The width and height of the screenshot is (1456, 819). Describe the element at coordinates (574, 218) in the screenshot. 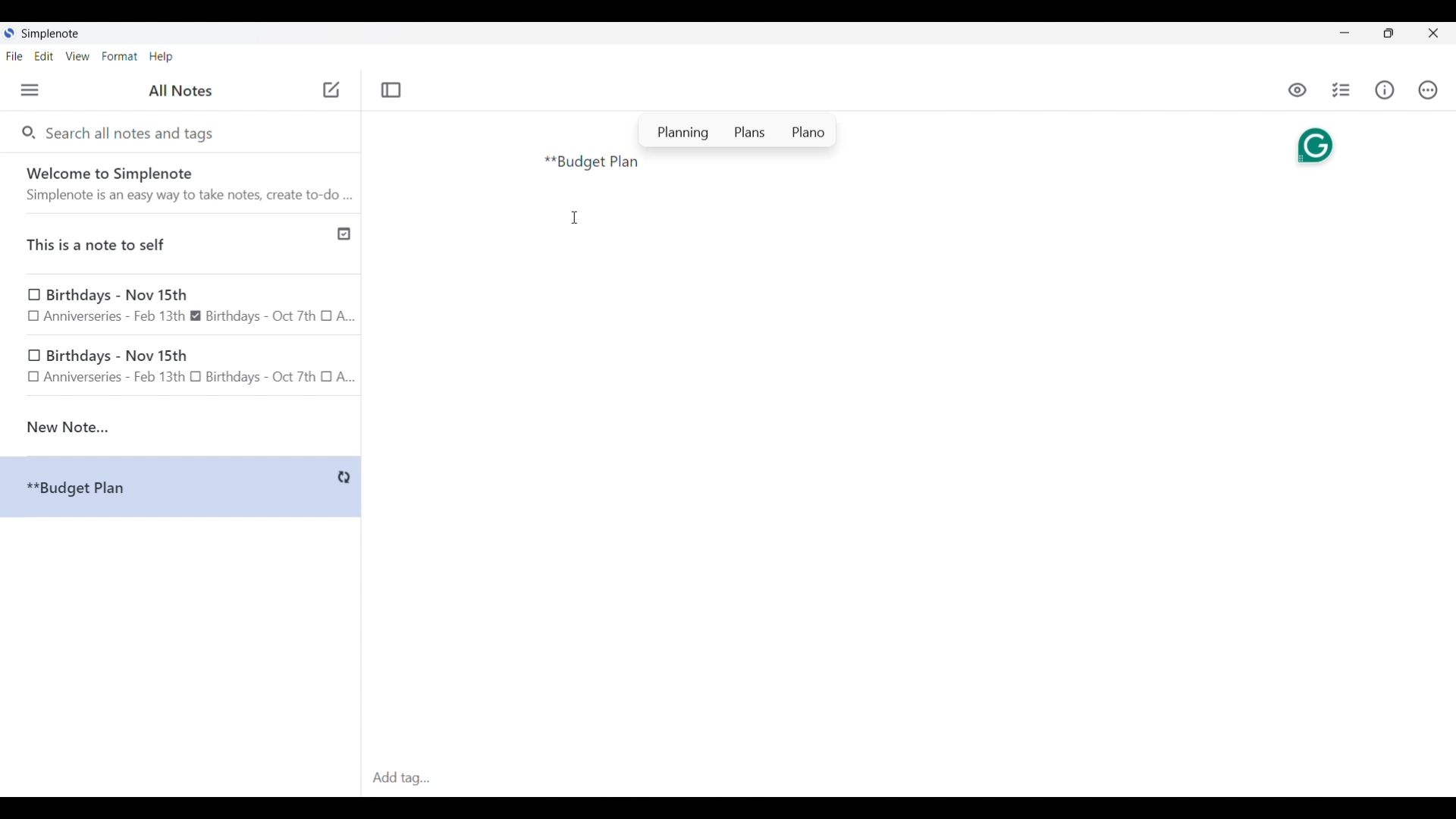

I see `Cursor position unchanged while shift key down` at that location.